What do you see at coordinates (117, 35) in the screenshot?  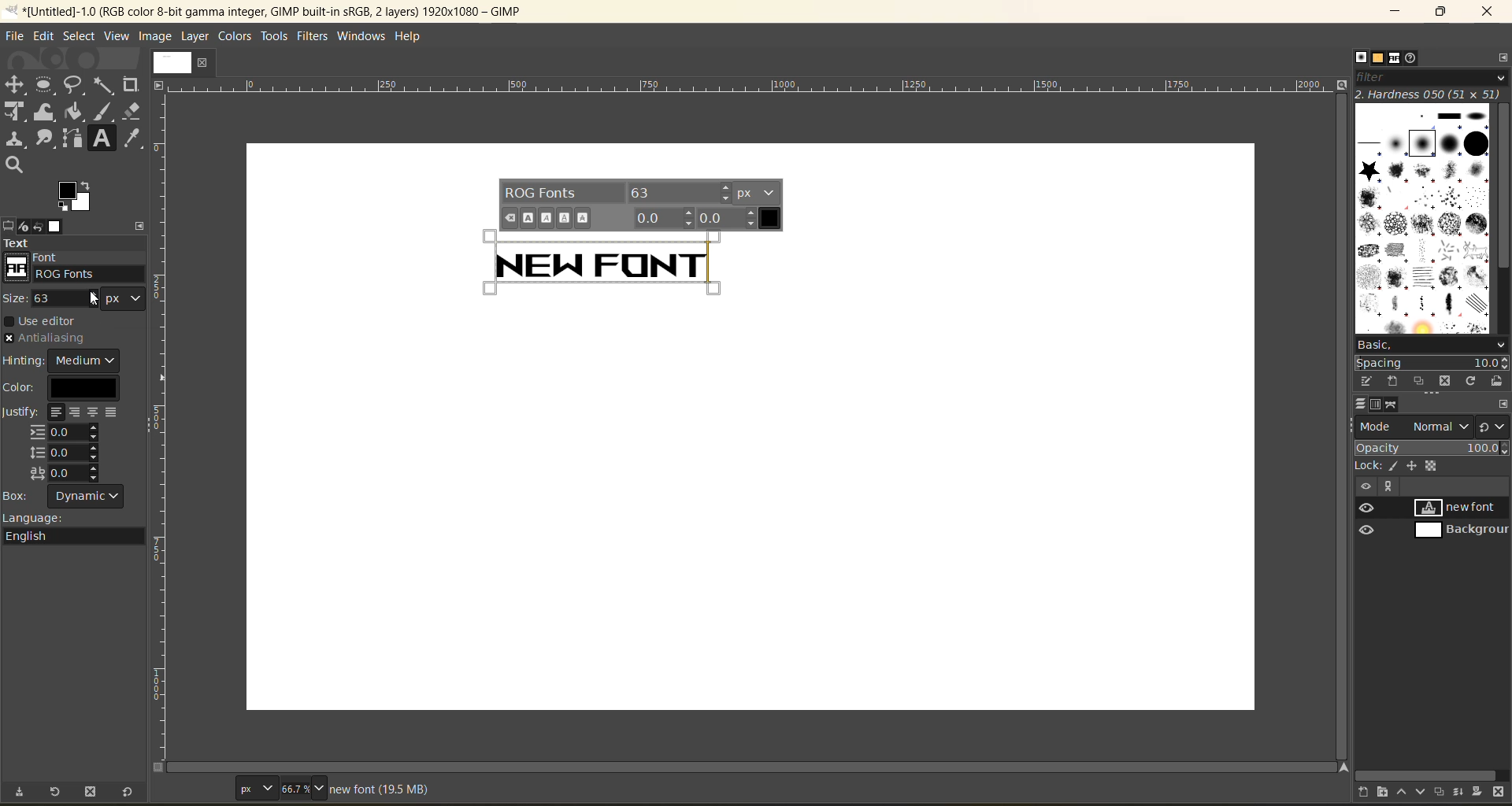 I see `view` at bounding box center [117, 35].